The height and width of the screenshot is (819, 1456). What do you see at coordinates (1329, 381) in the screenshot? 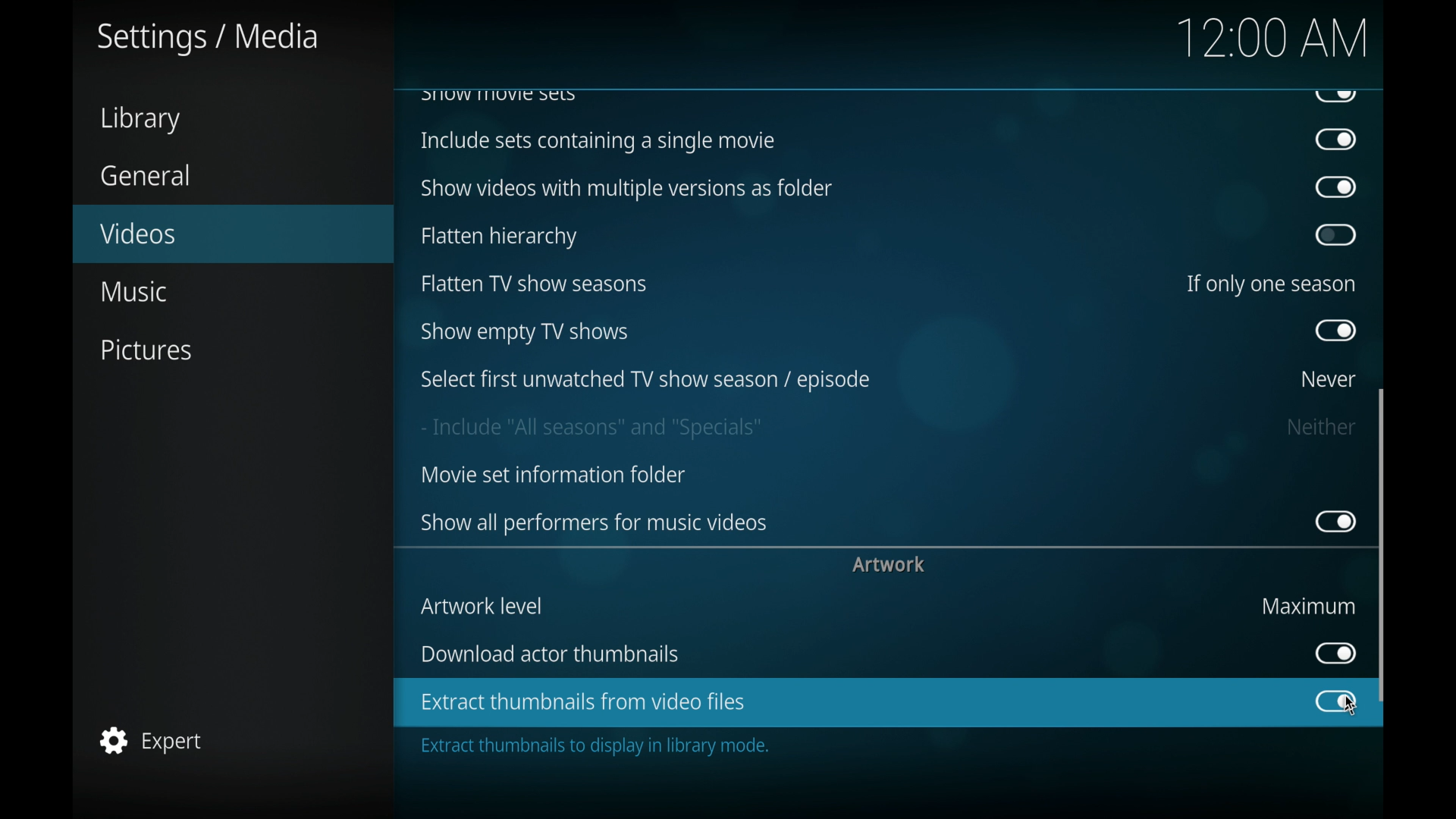
I see `never` at bounding box center [1329, 381].